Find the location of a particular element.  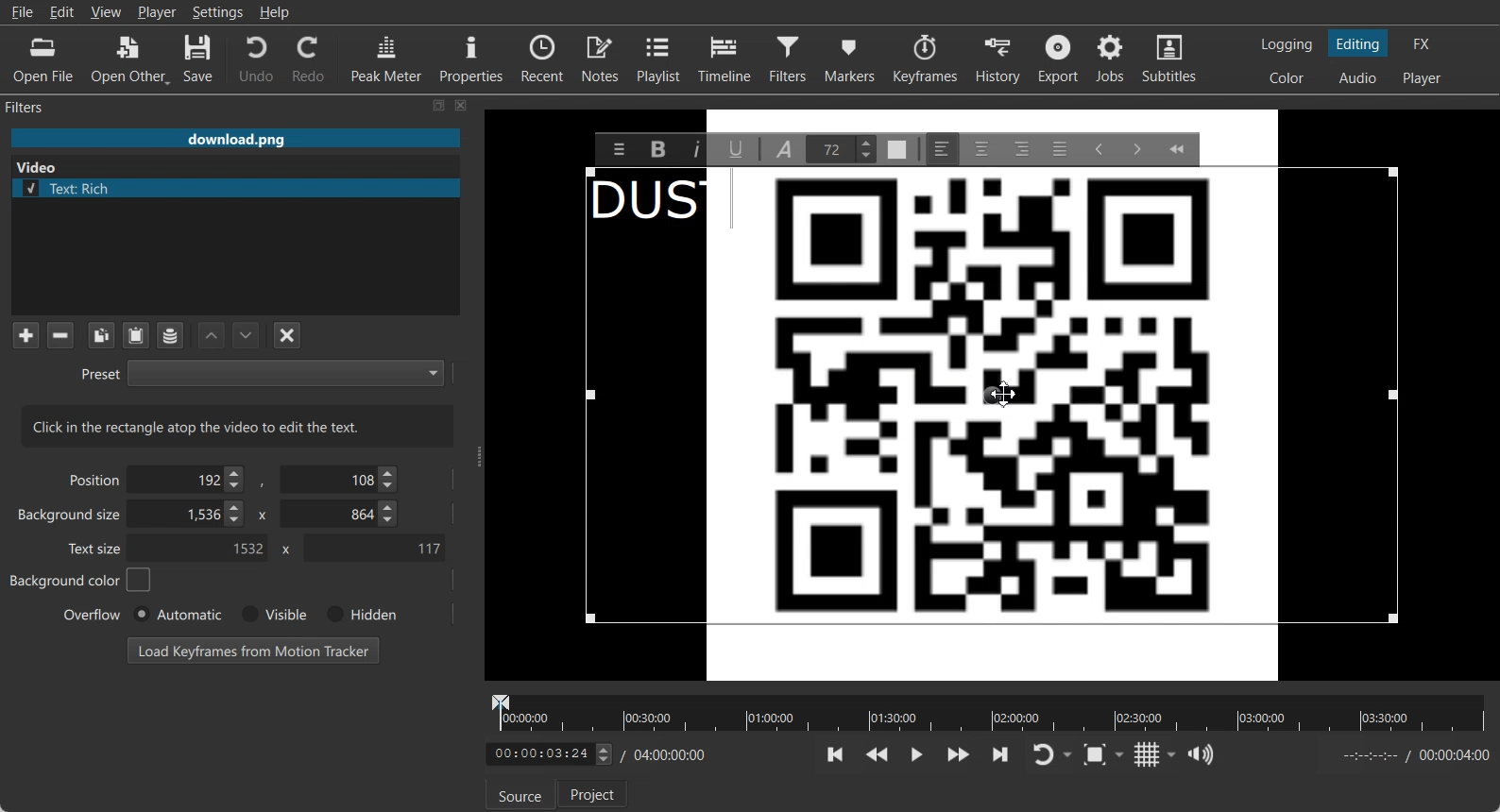

Text is located at coordinates (646, 204).